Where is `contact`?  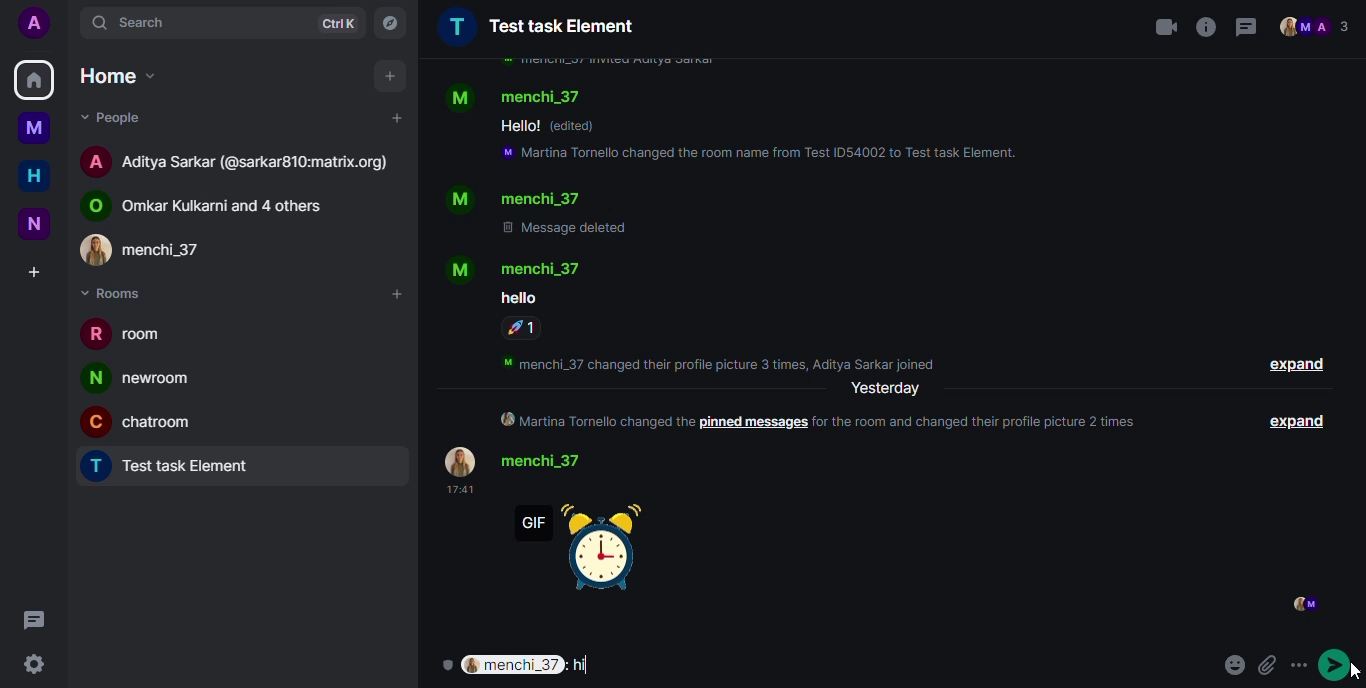 contact is located at coordinates (518, 96).